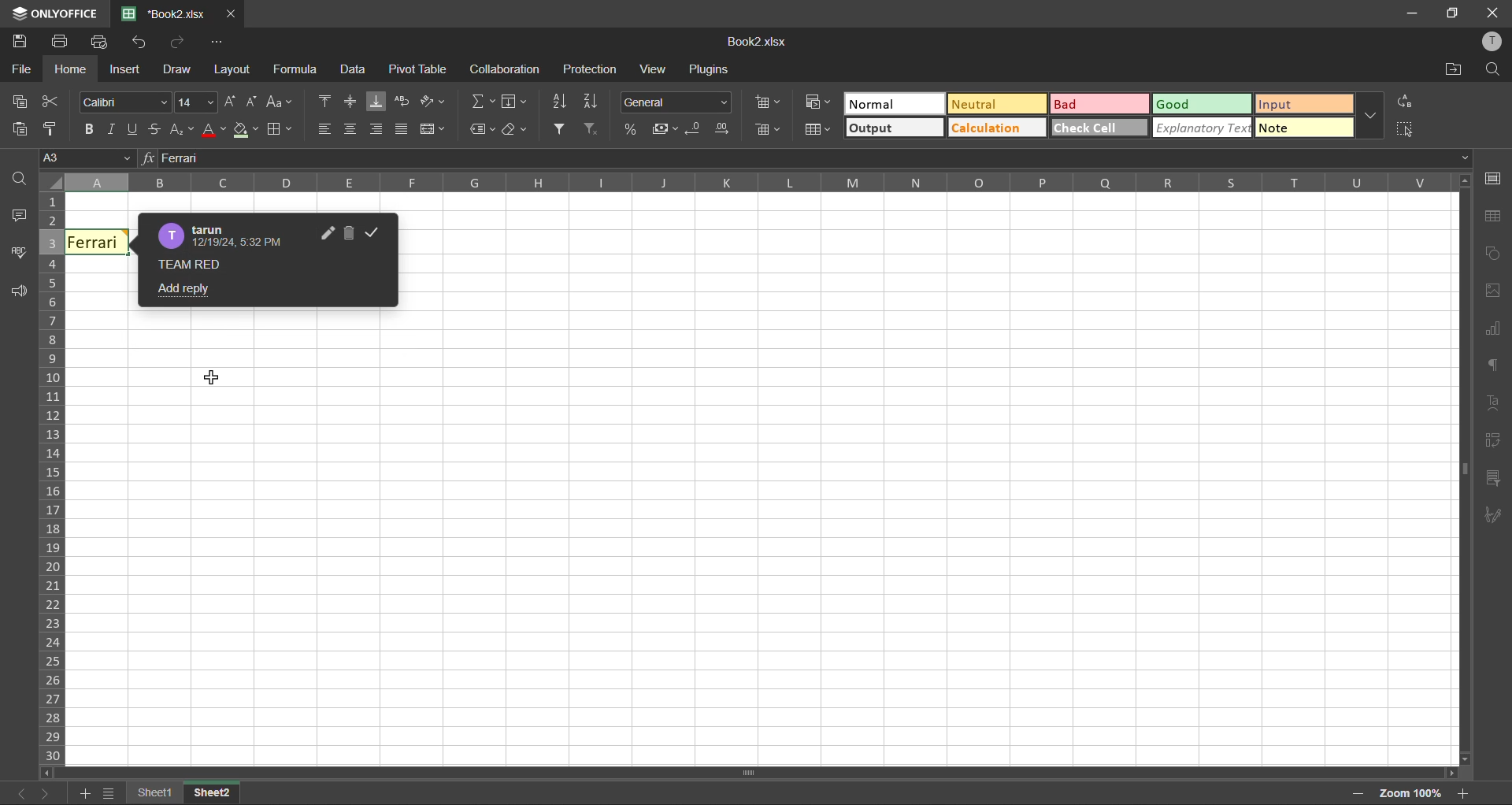 The height and width of the screenshot is (805, 1512). What do you see at coordinates (16, 293) in the screenshot?
I see `feedback` at bounding box center [16, 293].